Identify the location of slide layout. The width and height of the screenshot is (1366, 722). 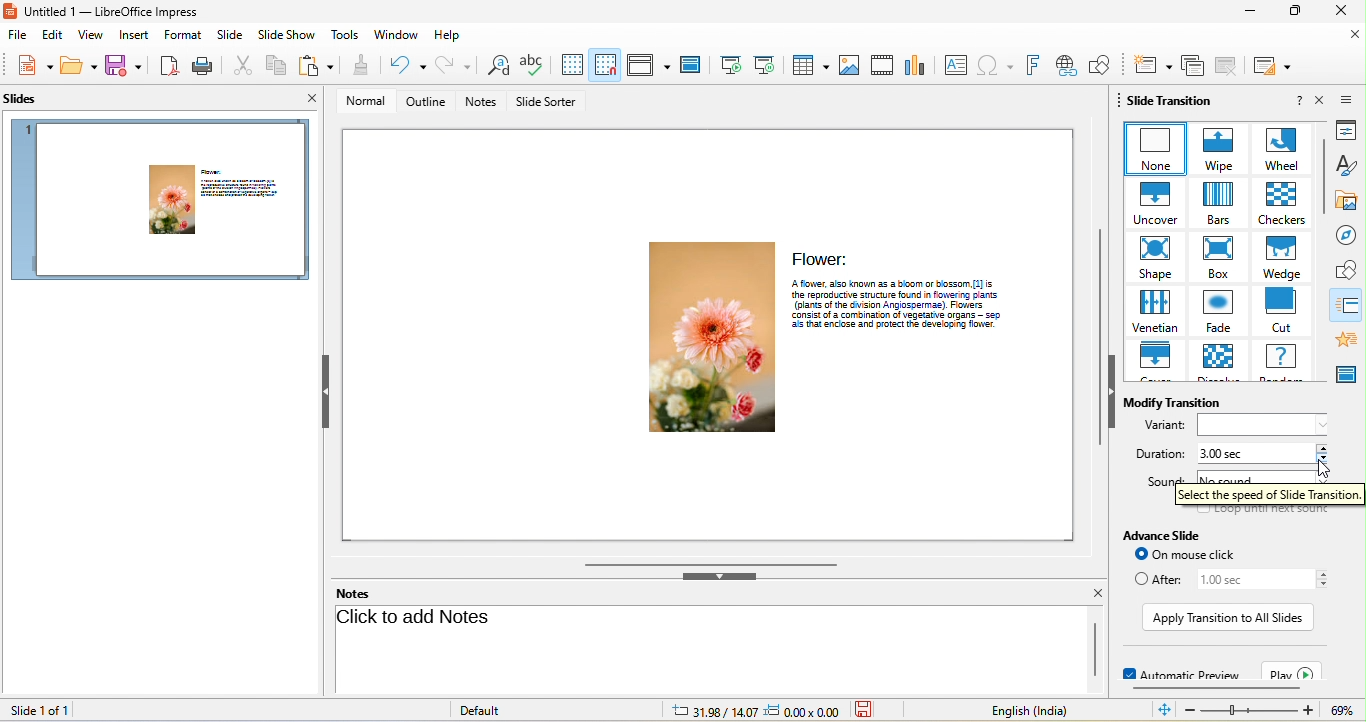
(1276, 65).